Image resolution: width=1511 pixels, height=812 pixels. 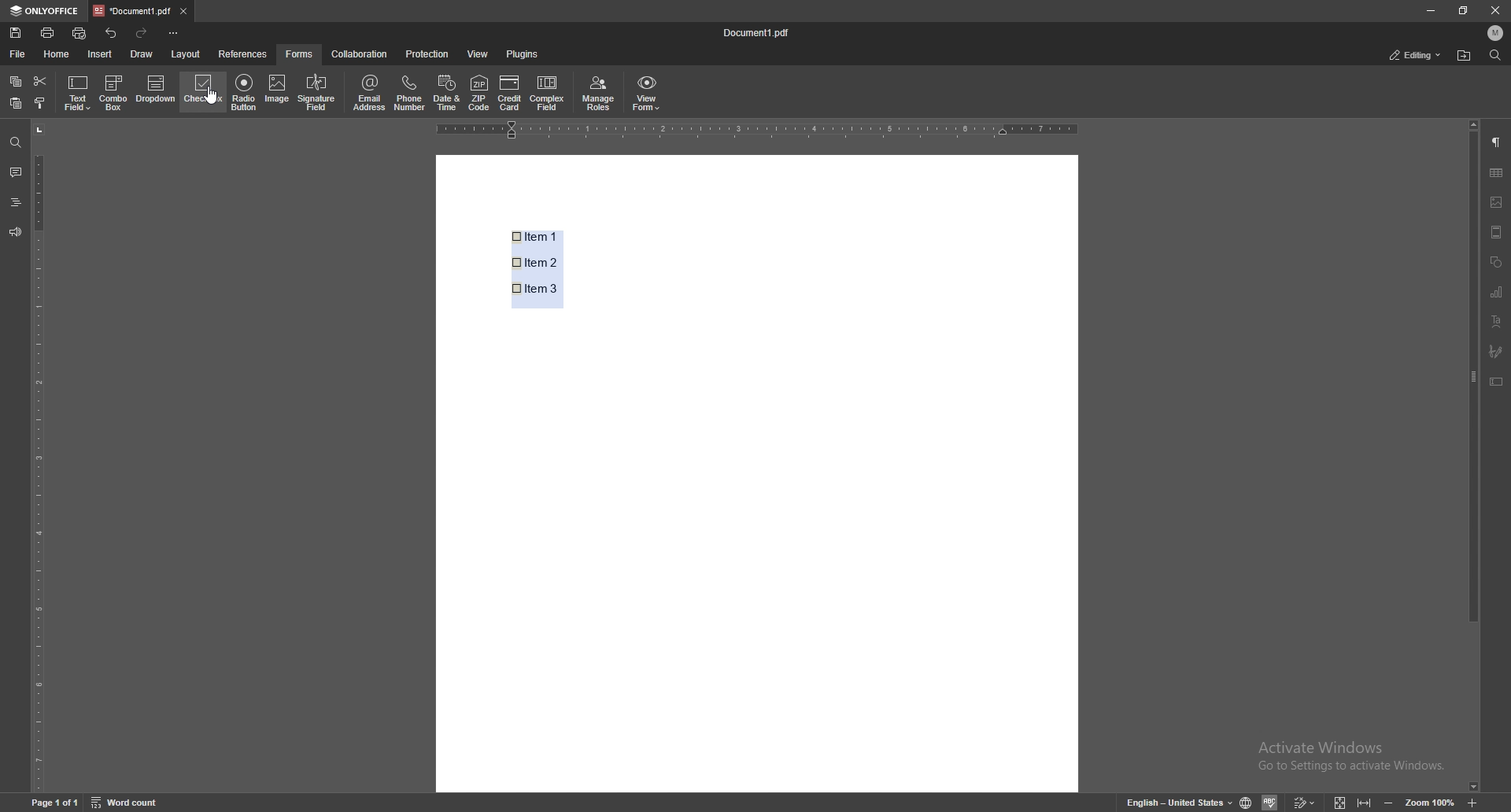 What do you see at coordinates (1495, 55) in the screenshot?
I see `find` at bounding box center [1495, 55].